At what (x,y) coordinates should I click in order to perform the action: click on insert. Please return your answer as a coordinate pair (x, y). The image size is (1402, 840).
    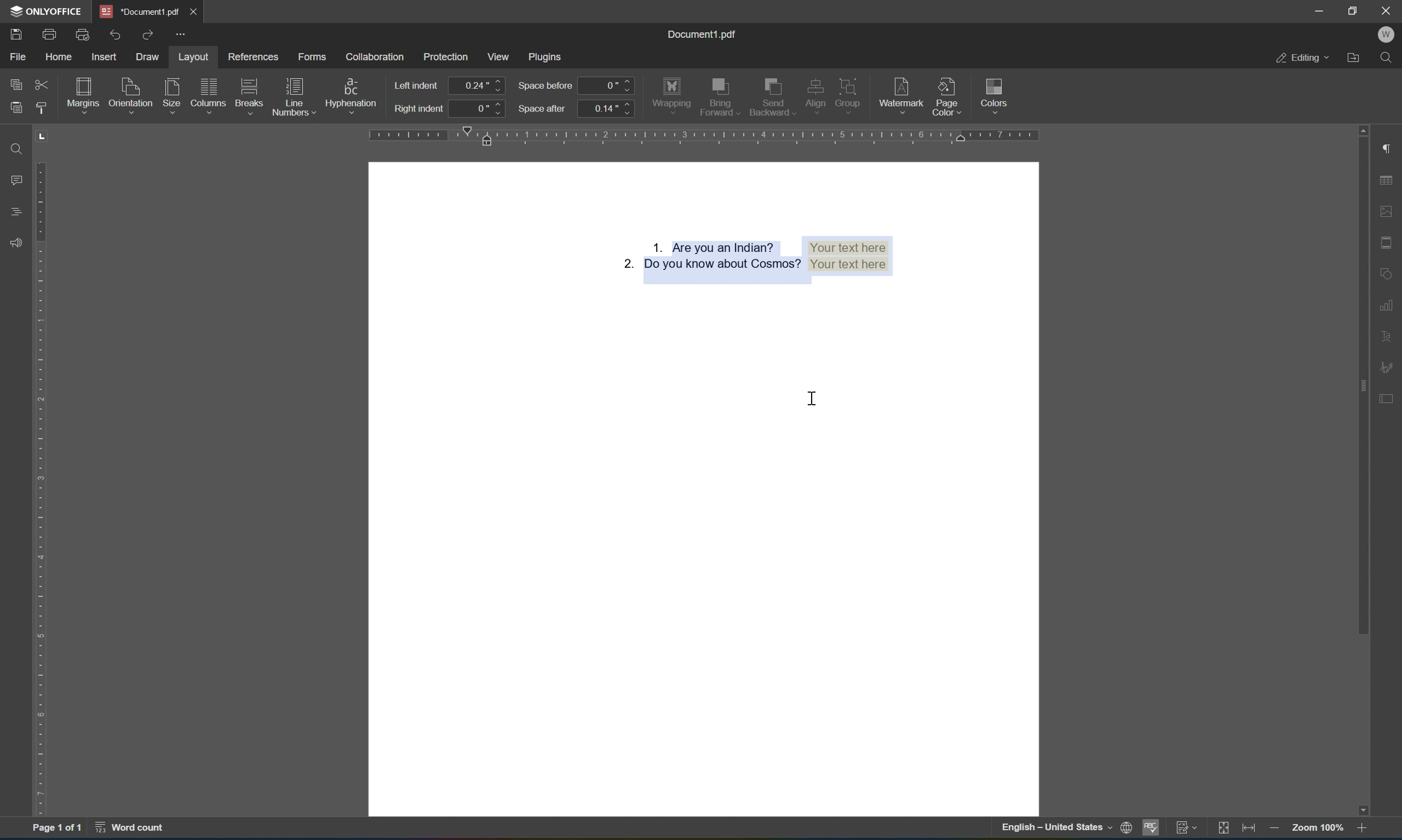
    Looking at the image, I should click on (107, 57).